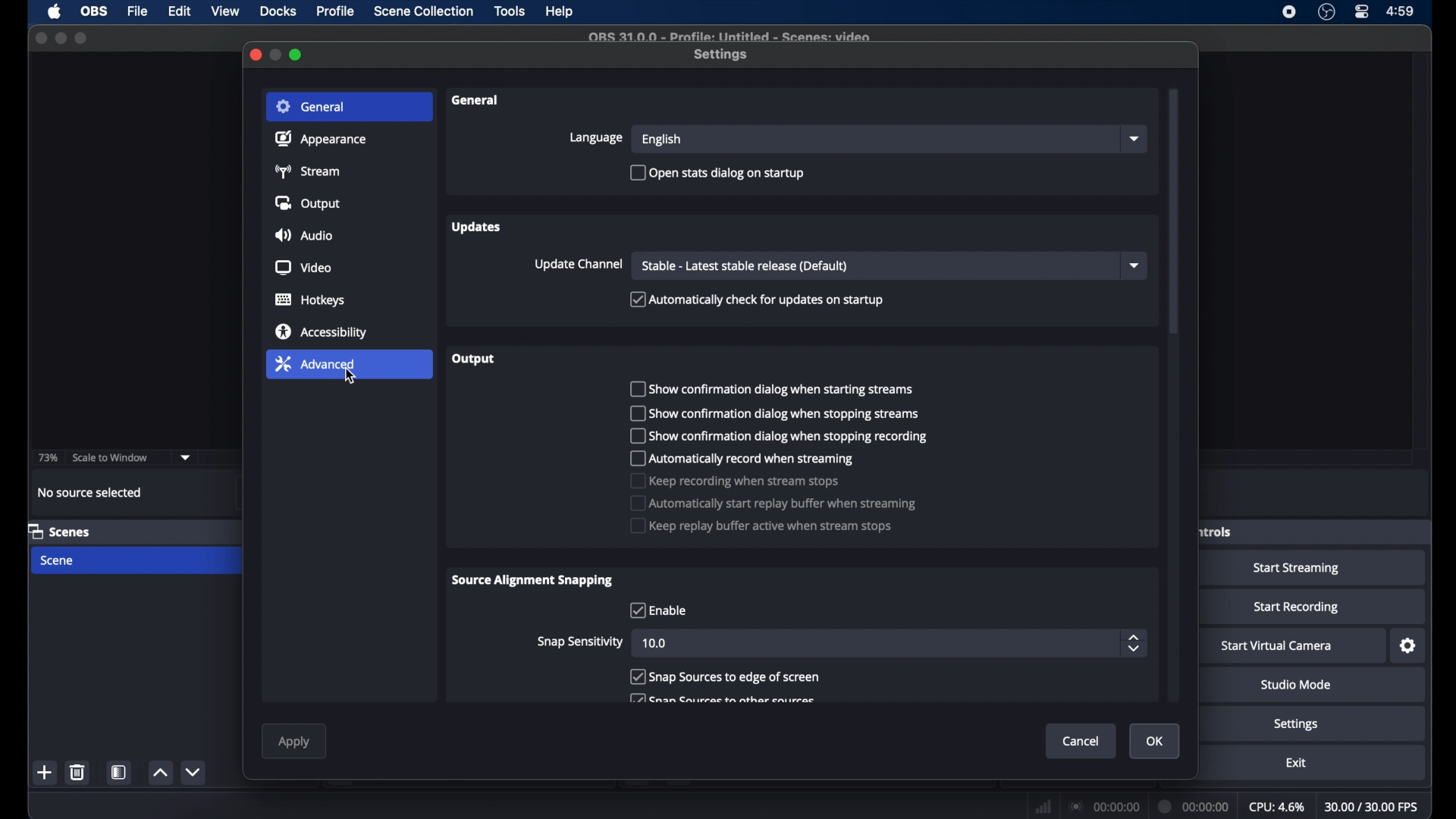  What do you see at coordinates (45, 772) in the screenshot?
I see `add` at bounding box center [45, 772].